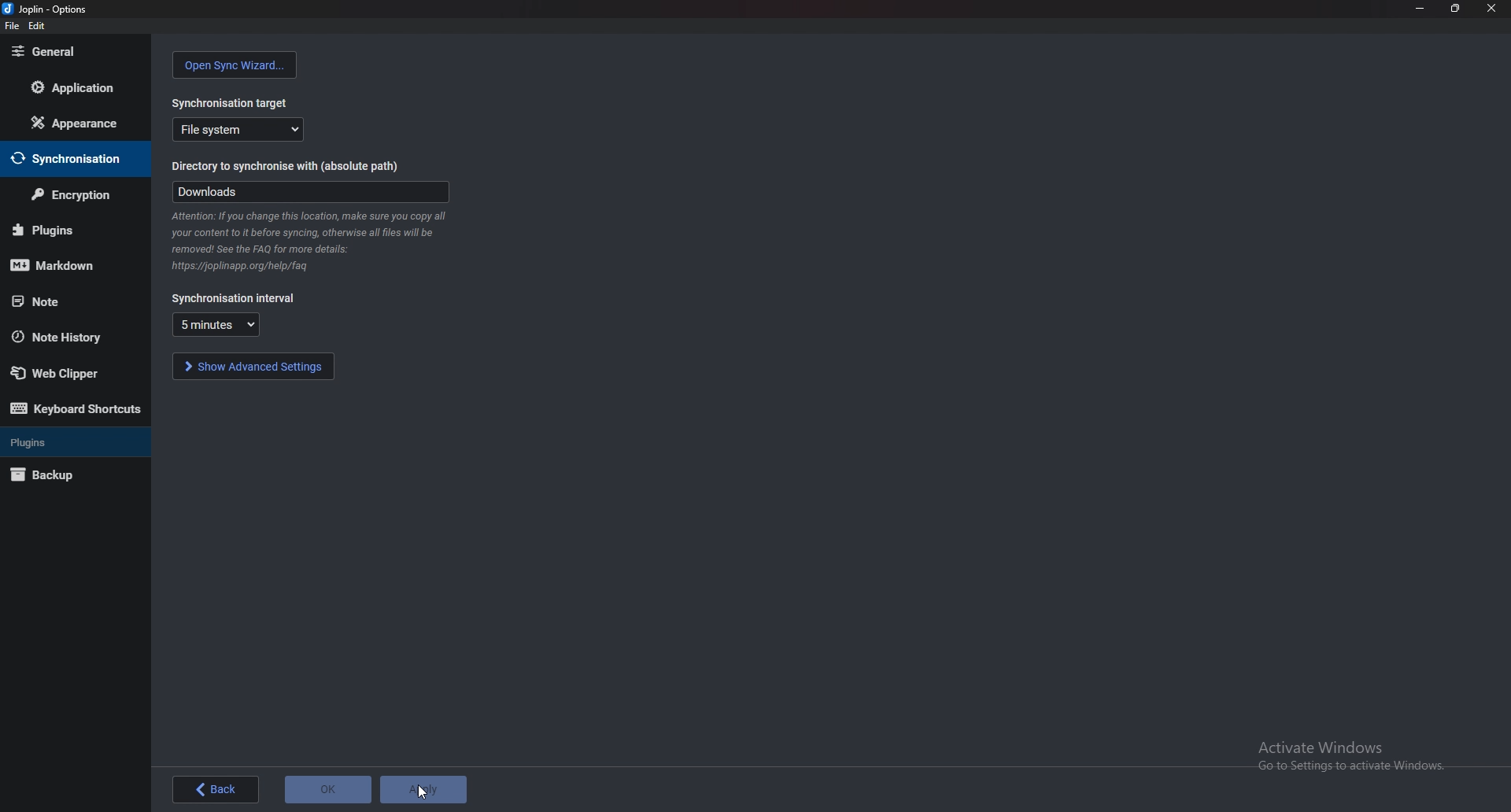  I want to click on Downloads, so click(310, 192).